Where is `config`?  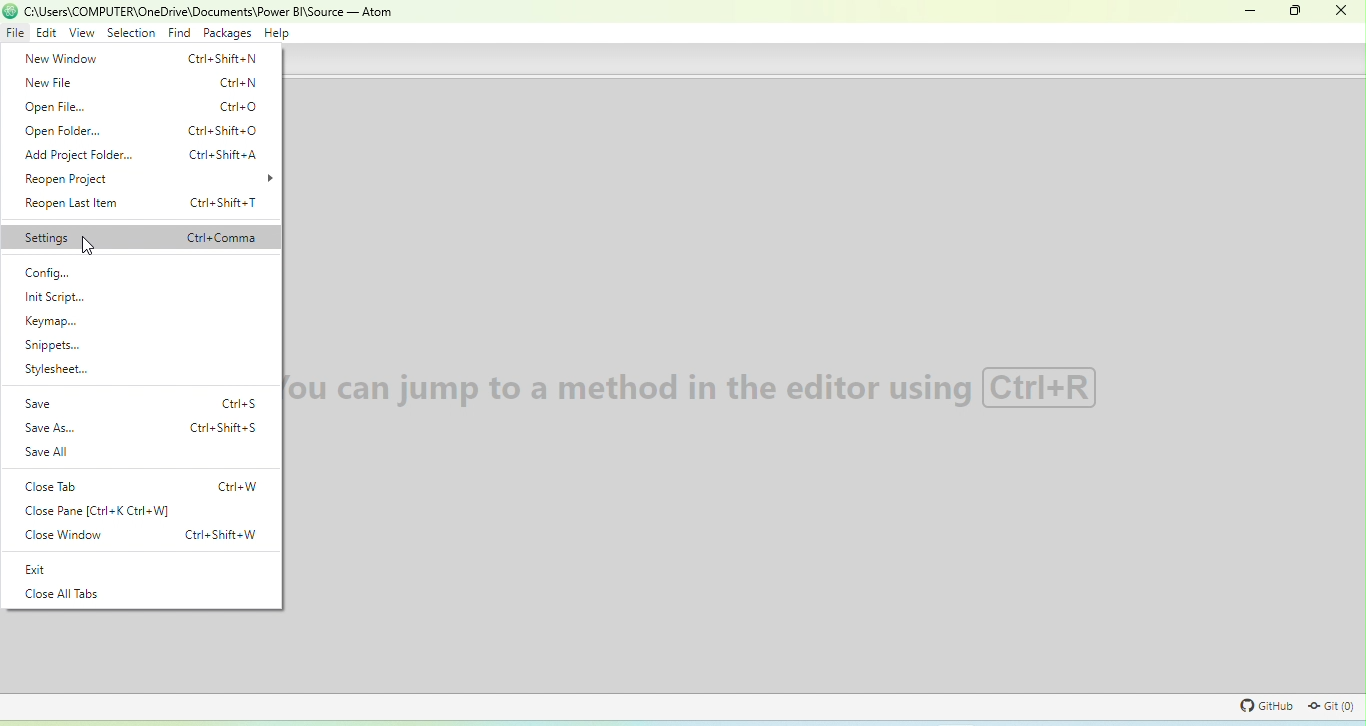 config is located at coordinates (45, 273).